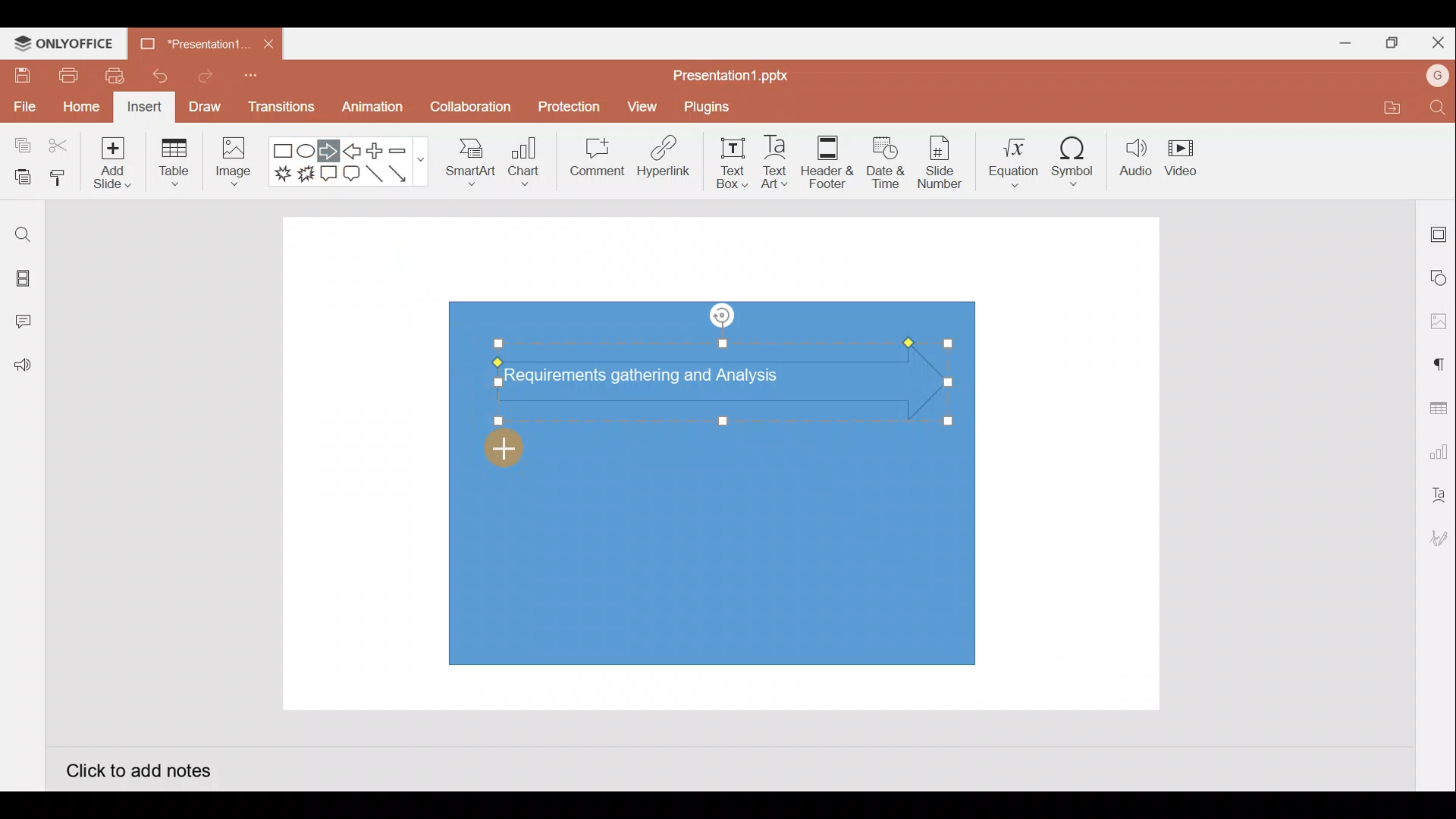 Image resolution: width=1456 pixels, height=819 pixels. Describe the element at coordinates (351, 171) in the screenshot. I see `Rounded Rectangular callout` at that location.